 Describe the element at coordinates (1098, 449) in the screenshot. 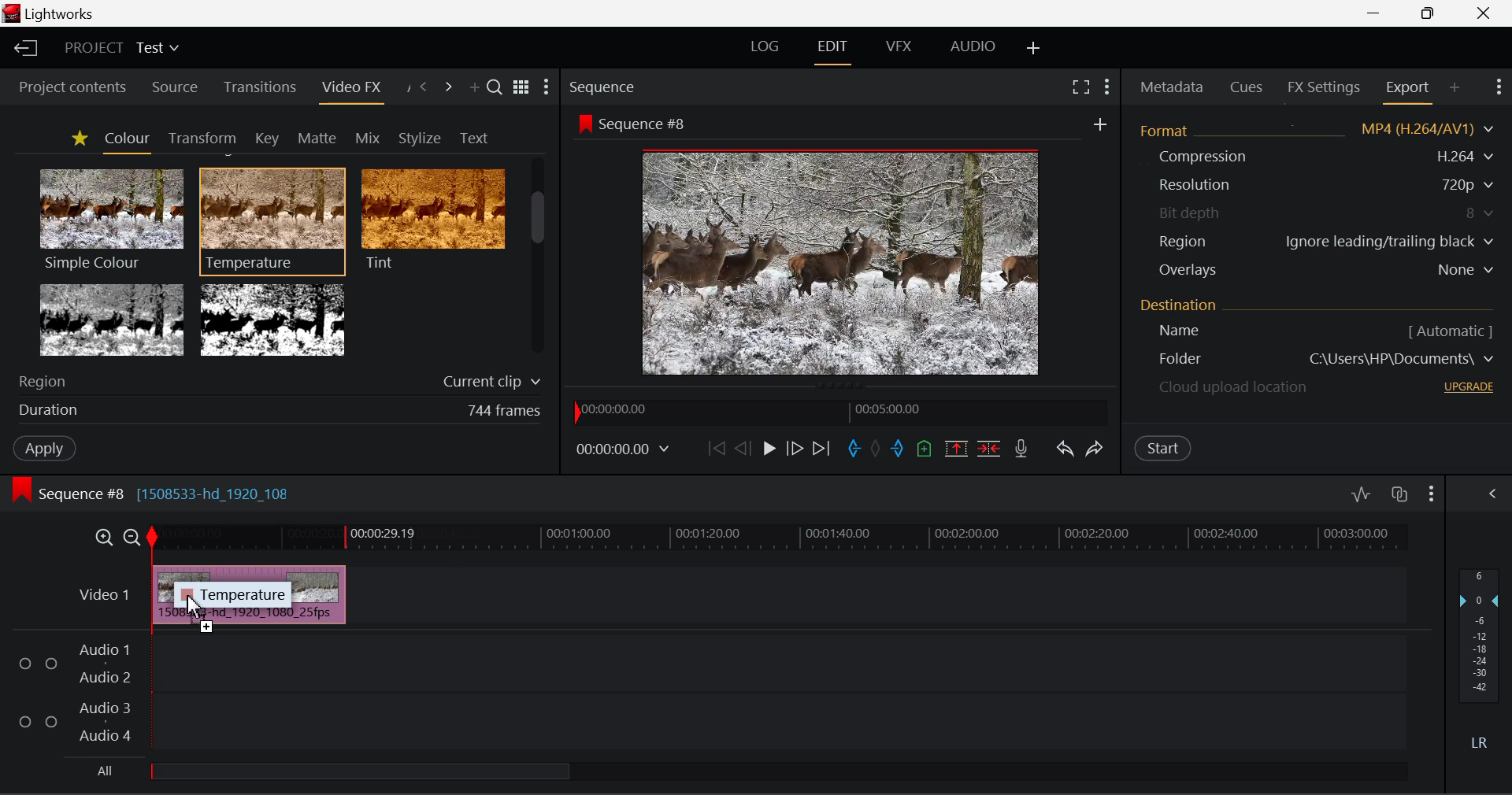

I see `Redo` at that location.